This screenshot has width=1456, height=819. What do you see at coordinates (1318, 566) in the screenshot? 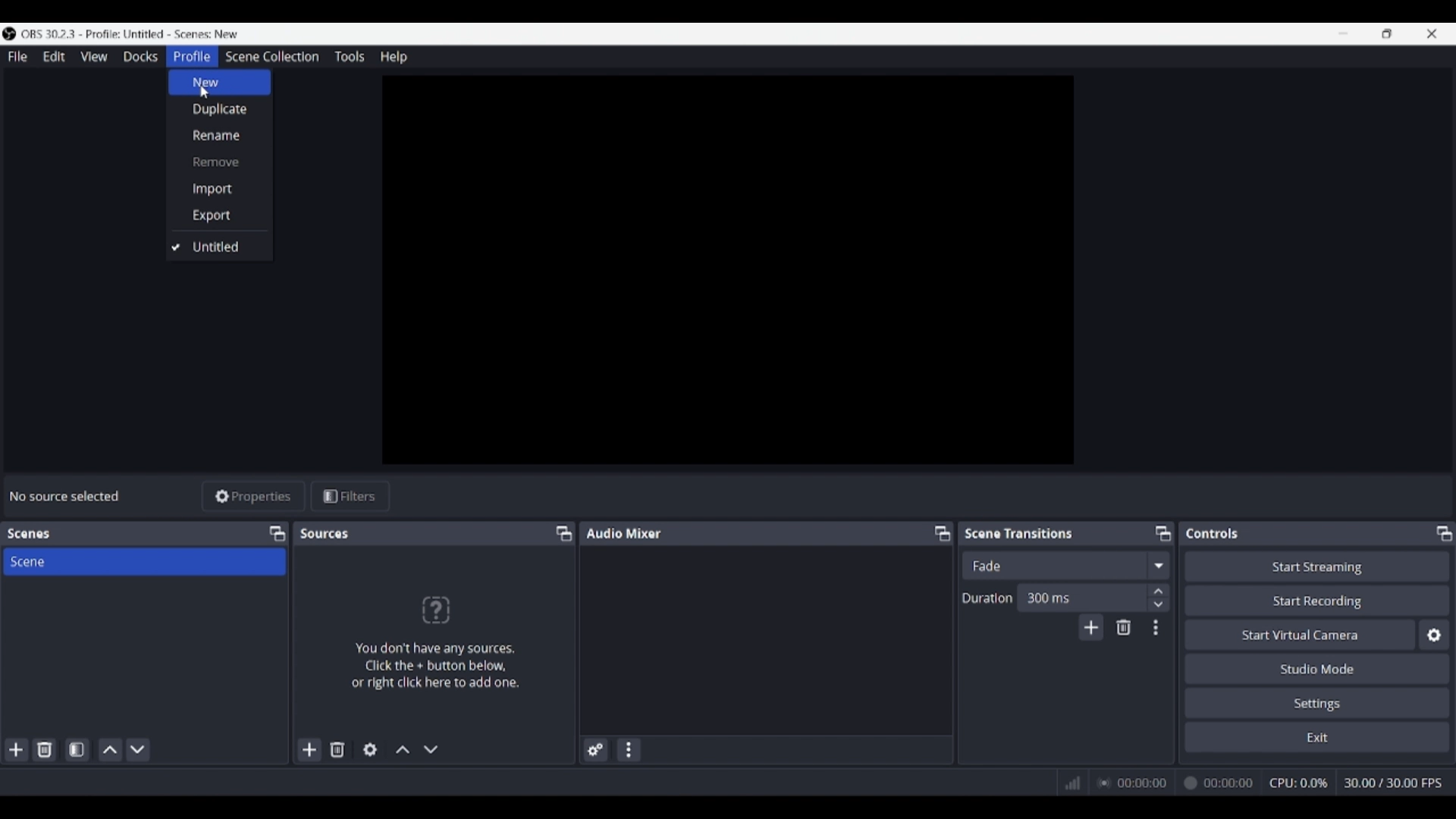
I see `Start streaming` at bounding box center [1318, 566].